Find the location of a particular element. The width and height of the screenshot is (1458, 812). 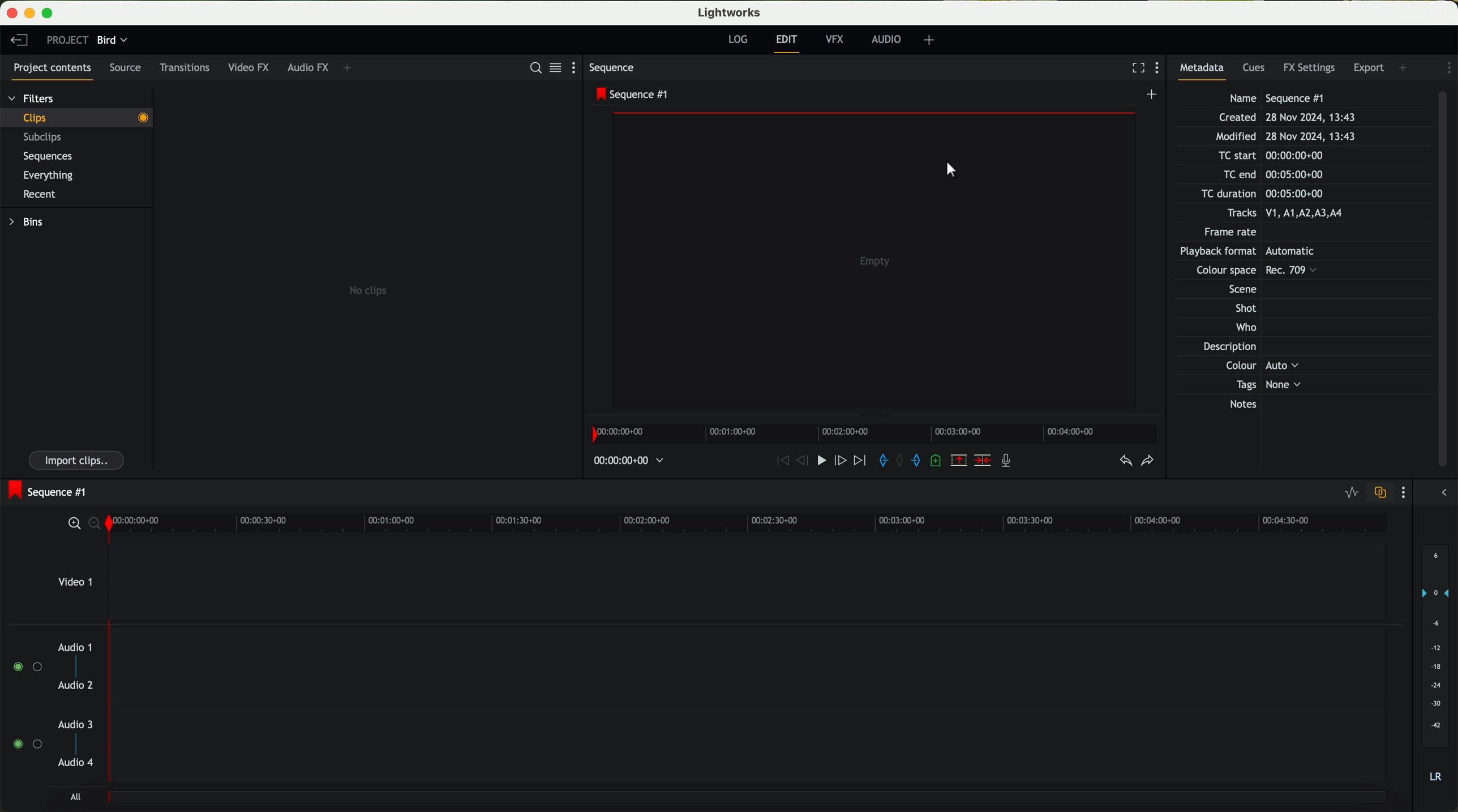

toggle auto track sync is located at coordinates (1382, 492).